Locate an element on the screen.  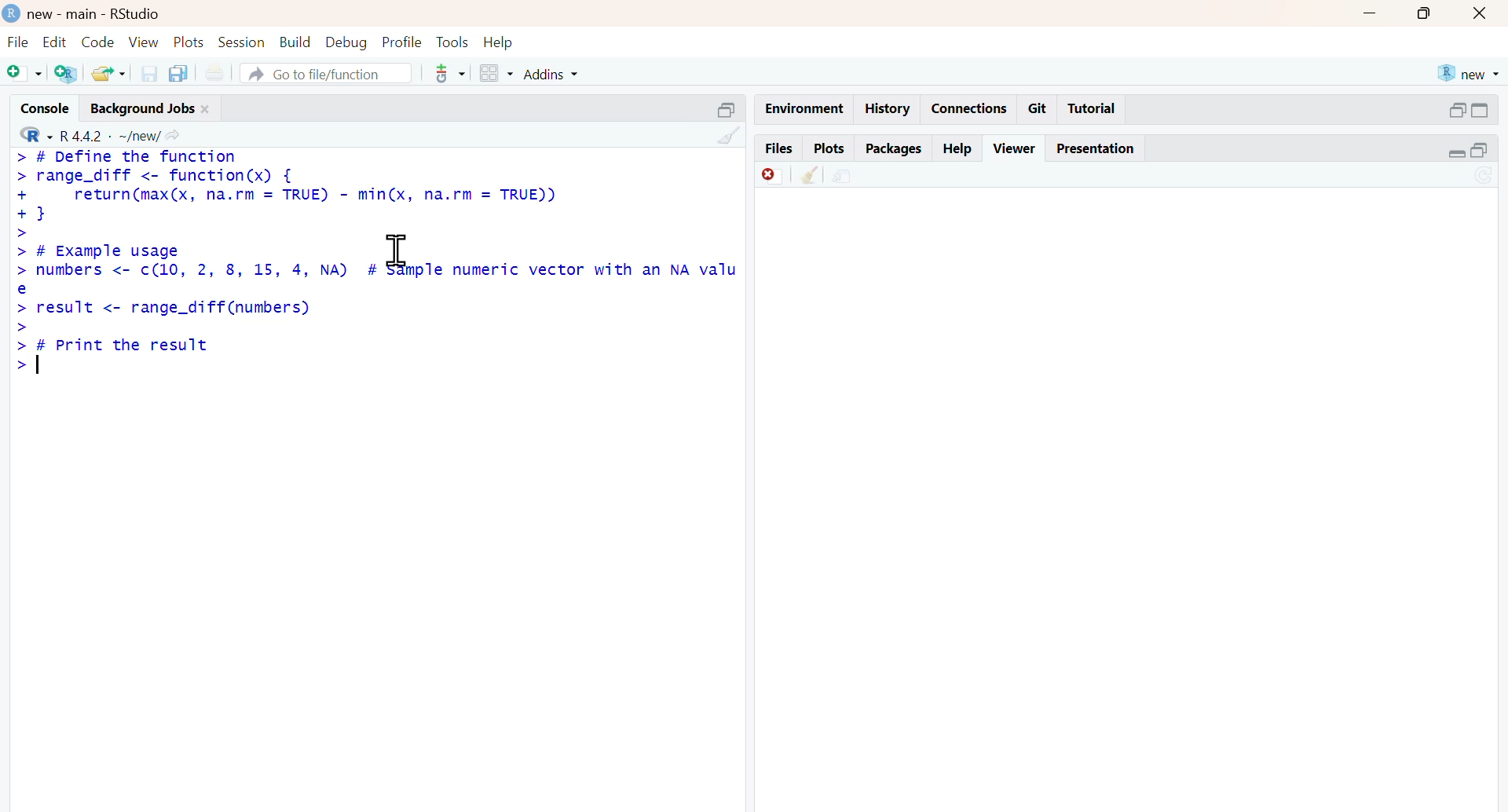
minimise is located at coordinates (1371, 13).